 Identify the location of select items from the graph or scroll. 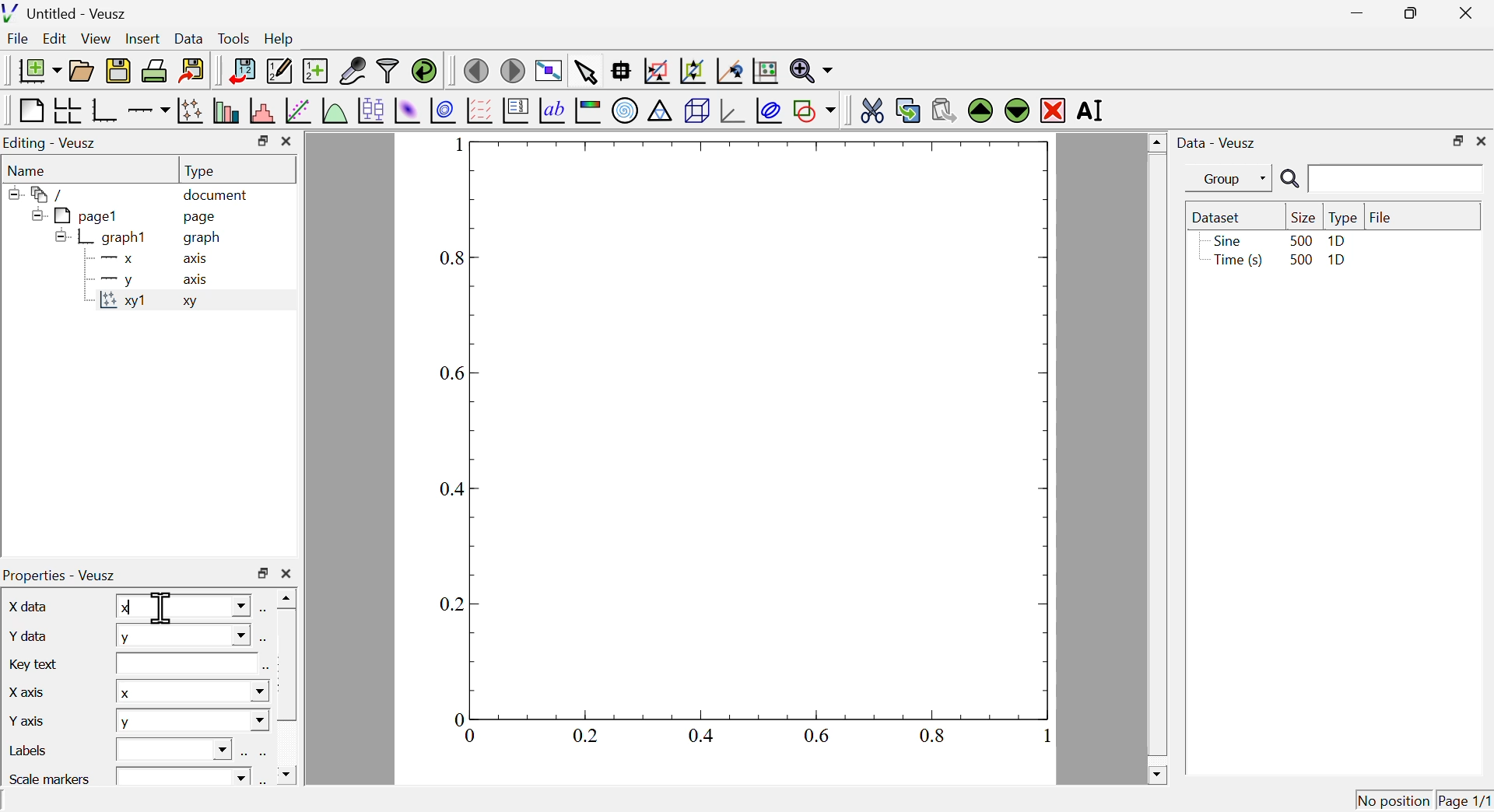
(585, 71).